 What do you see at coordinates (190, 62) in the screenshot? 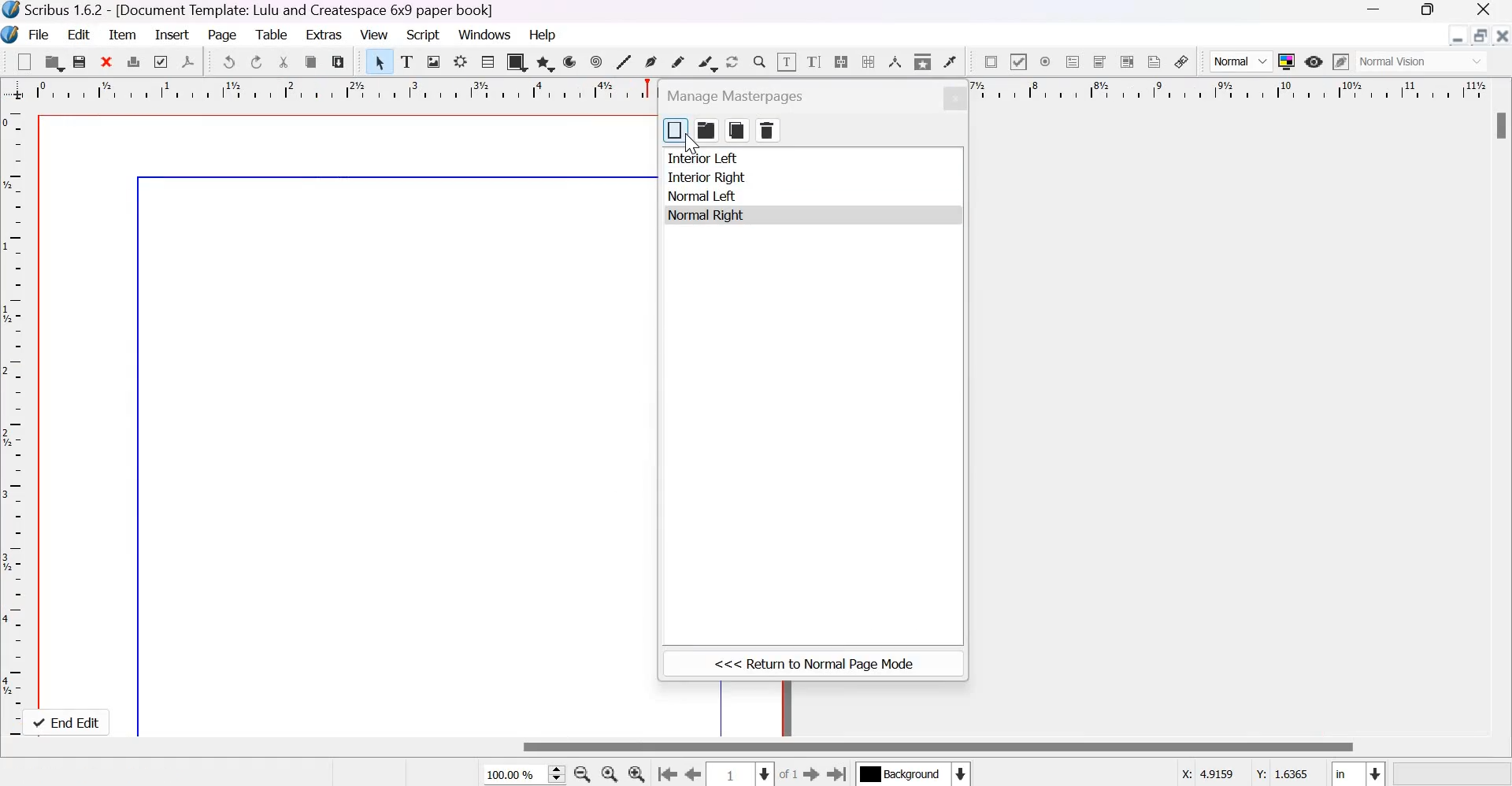
I see `save as pdf` at bounding box center [190, 62].